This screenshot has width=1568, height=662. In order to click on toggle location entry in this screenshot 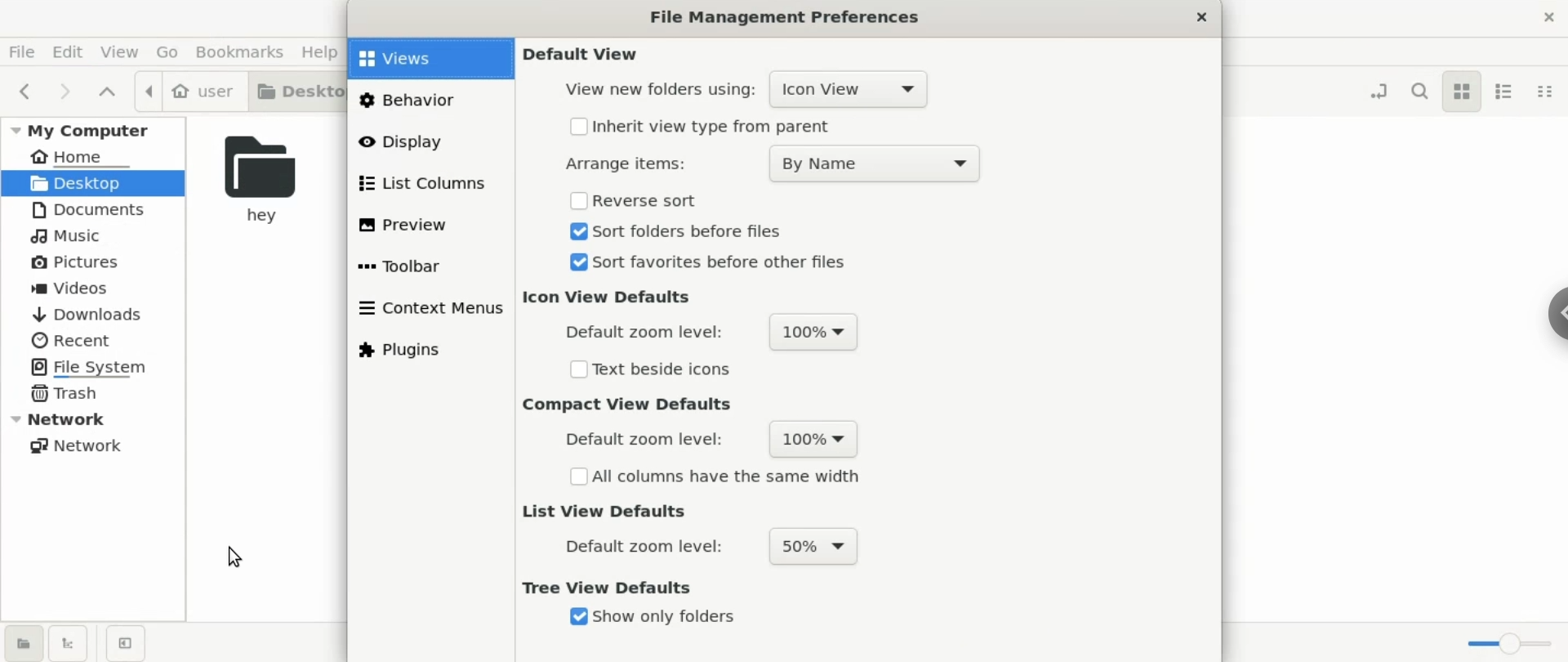, I will do `click(1383, 93)`.